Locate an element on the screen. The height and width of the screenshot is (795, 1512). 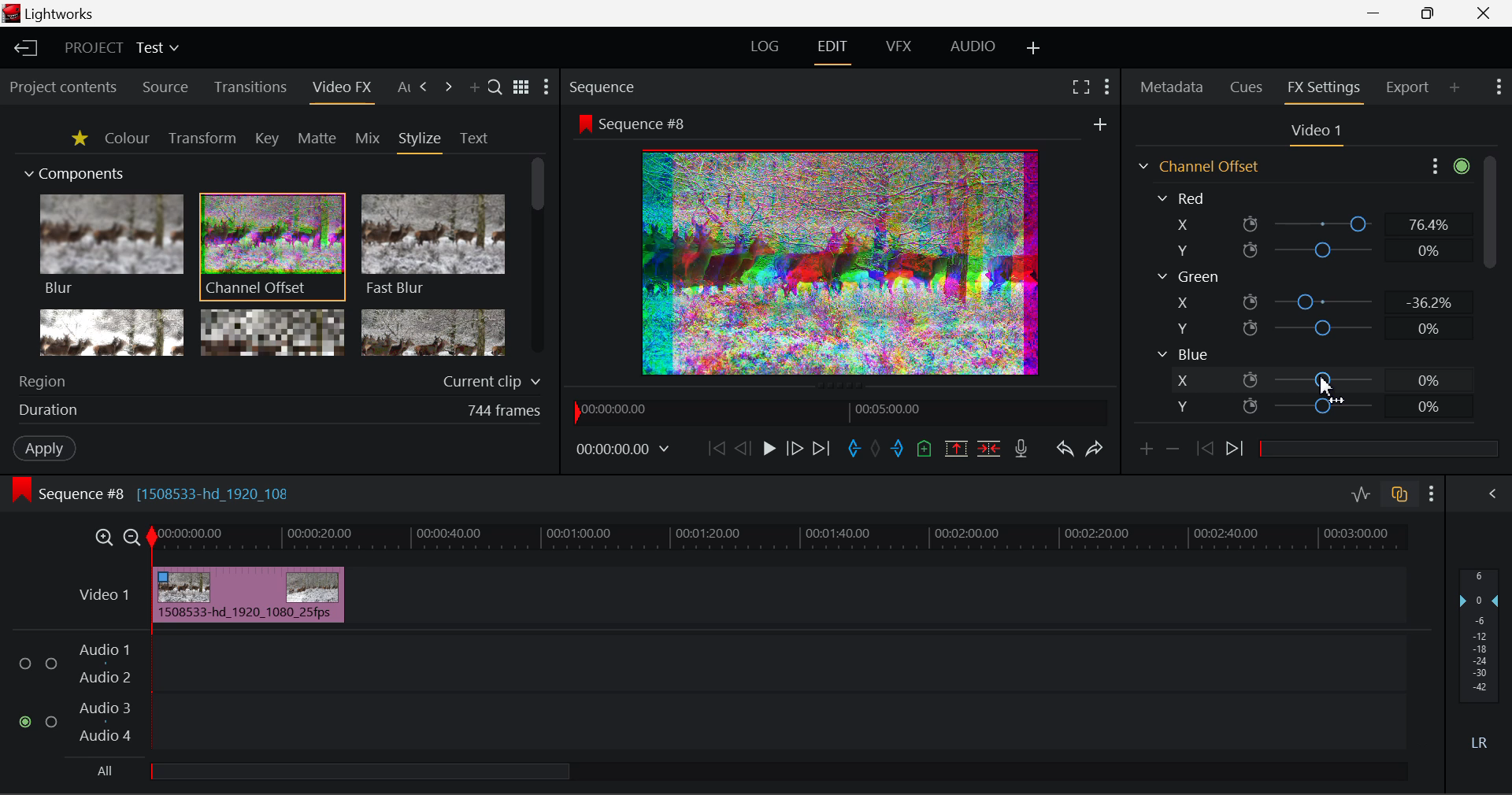
Frame Duration is located at coordinates (280, 412).